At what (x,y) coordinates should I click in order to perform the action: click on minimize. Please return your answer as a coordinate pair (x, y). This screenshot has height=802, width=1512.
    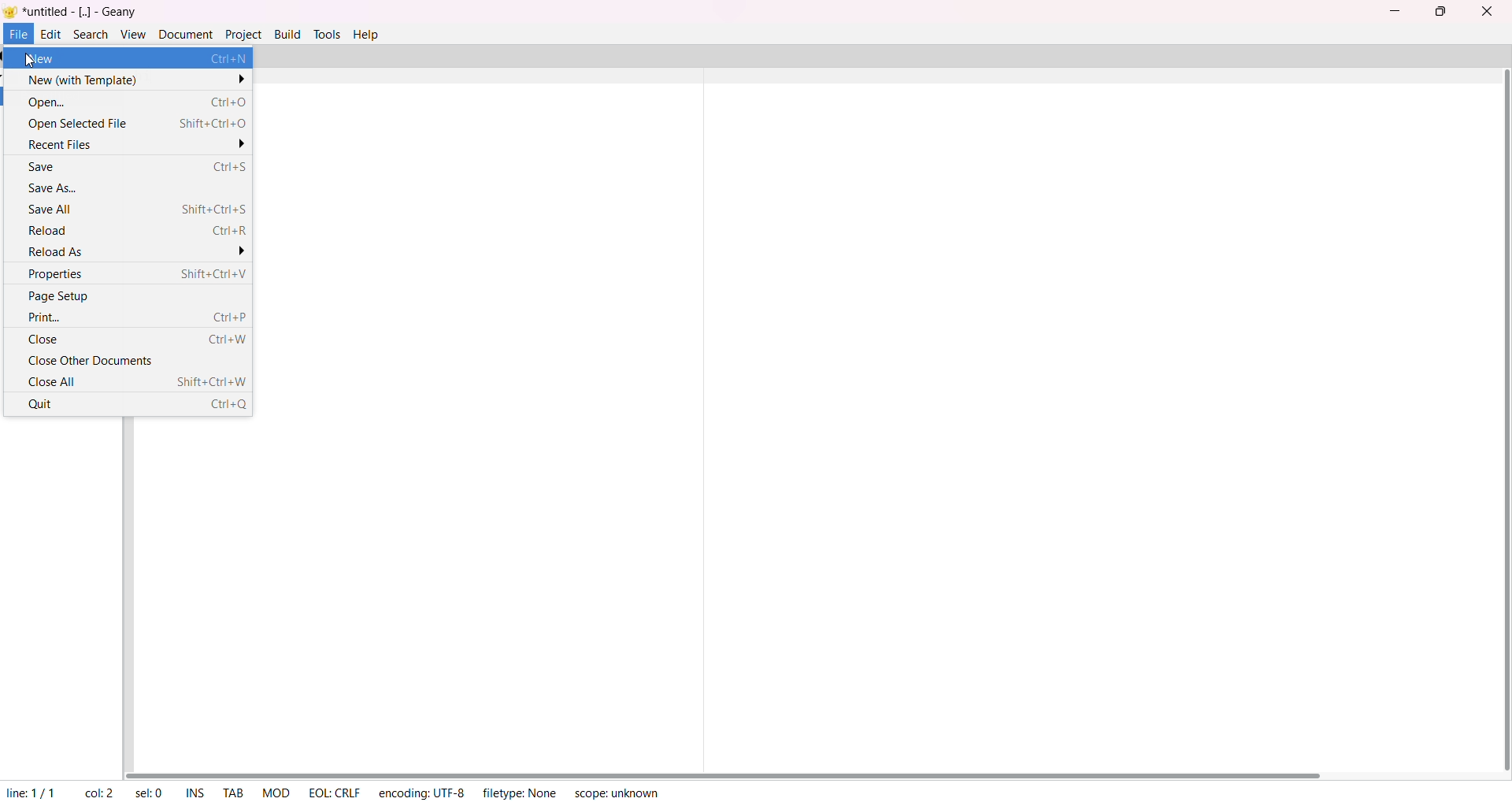
    Looking at the image, I should click on (1392, 9).